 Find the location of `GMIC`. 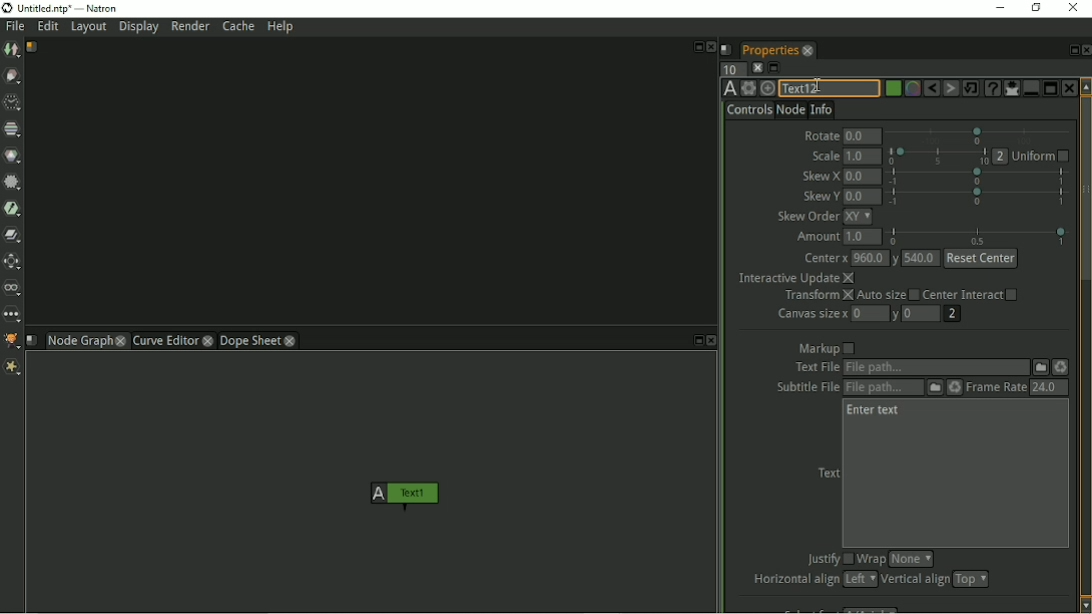

GMIC is located at coordinates (12, 341).